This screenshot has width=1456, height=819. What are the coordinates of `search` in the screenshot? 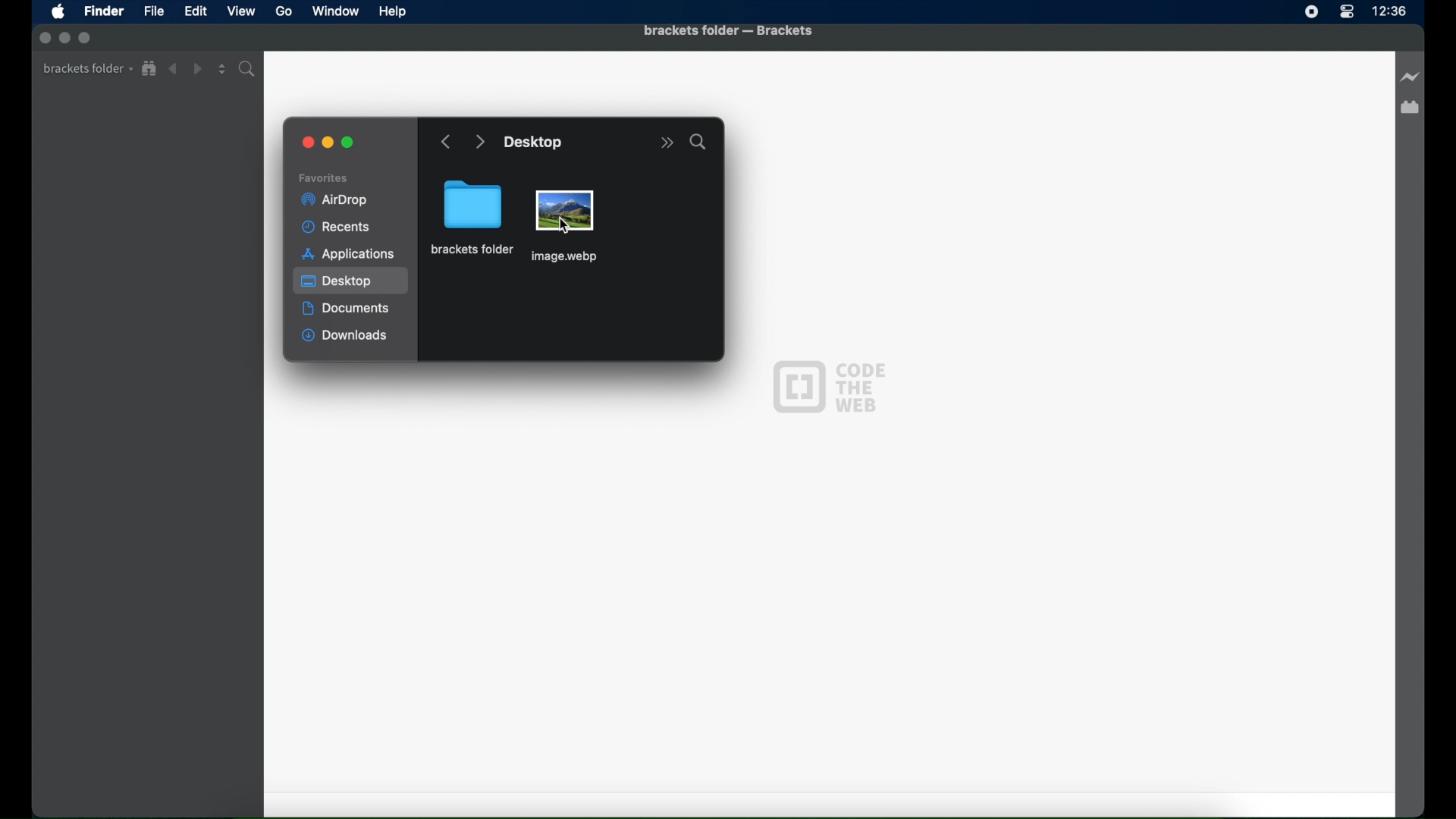 It's located at (698, 142).